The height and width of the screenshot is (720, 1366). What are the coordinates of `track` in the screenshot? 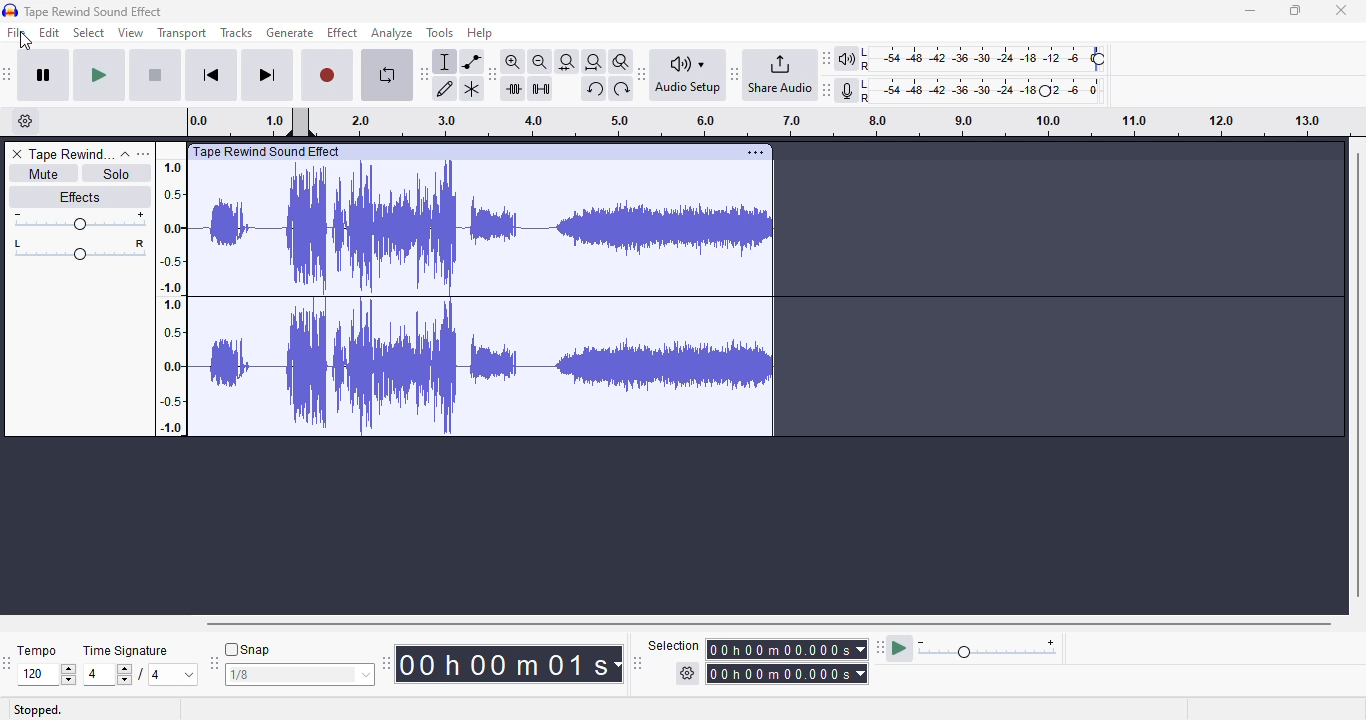 It's located at (72, 154).